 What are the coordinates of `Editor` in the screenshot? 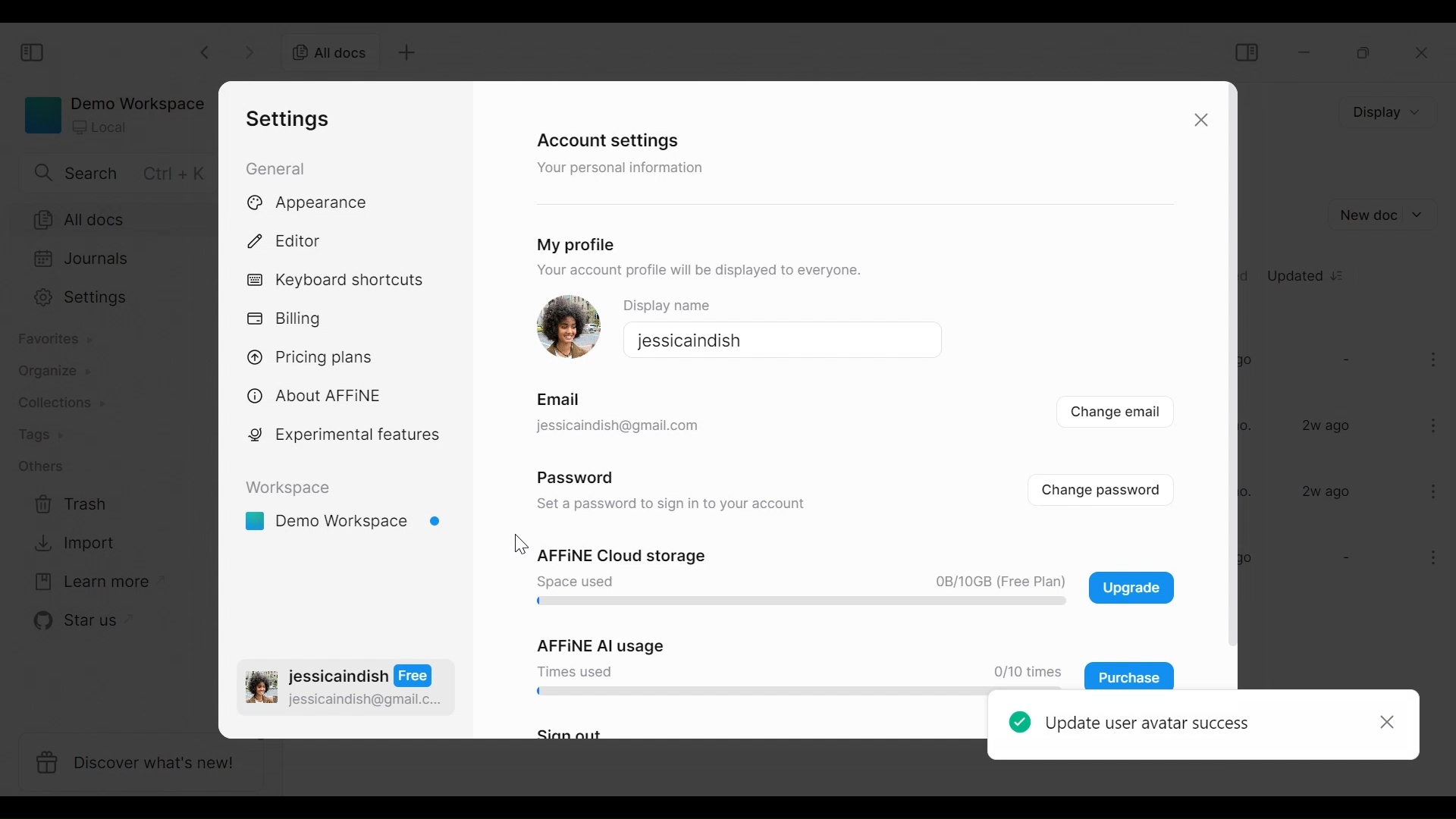 It's located at (289, 240).